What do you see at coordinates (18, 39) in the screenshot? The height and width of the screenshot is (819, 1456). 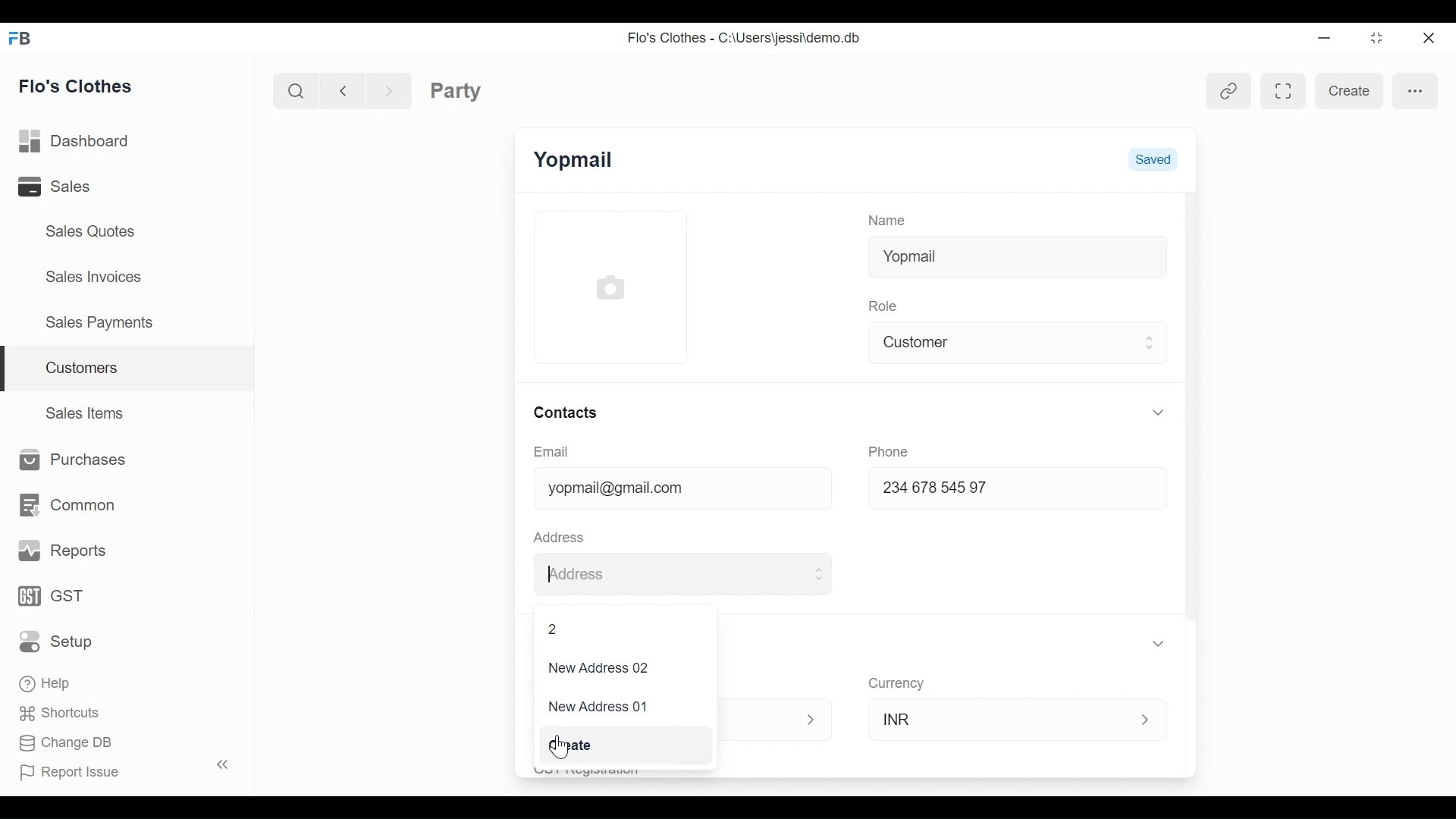 I see `Frappe Books Desktop Icon` at bounding box center [18, 39].